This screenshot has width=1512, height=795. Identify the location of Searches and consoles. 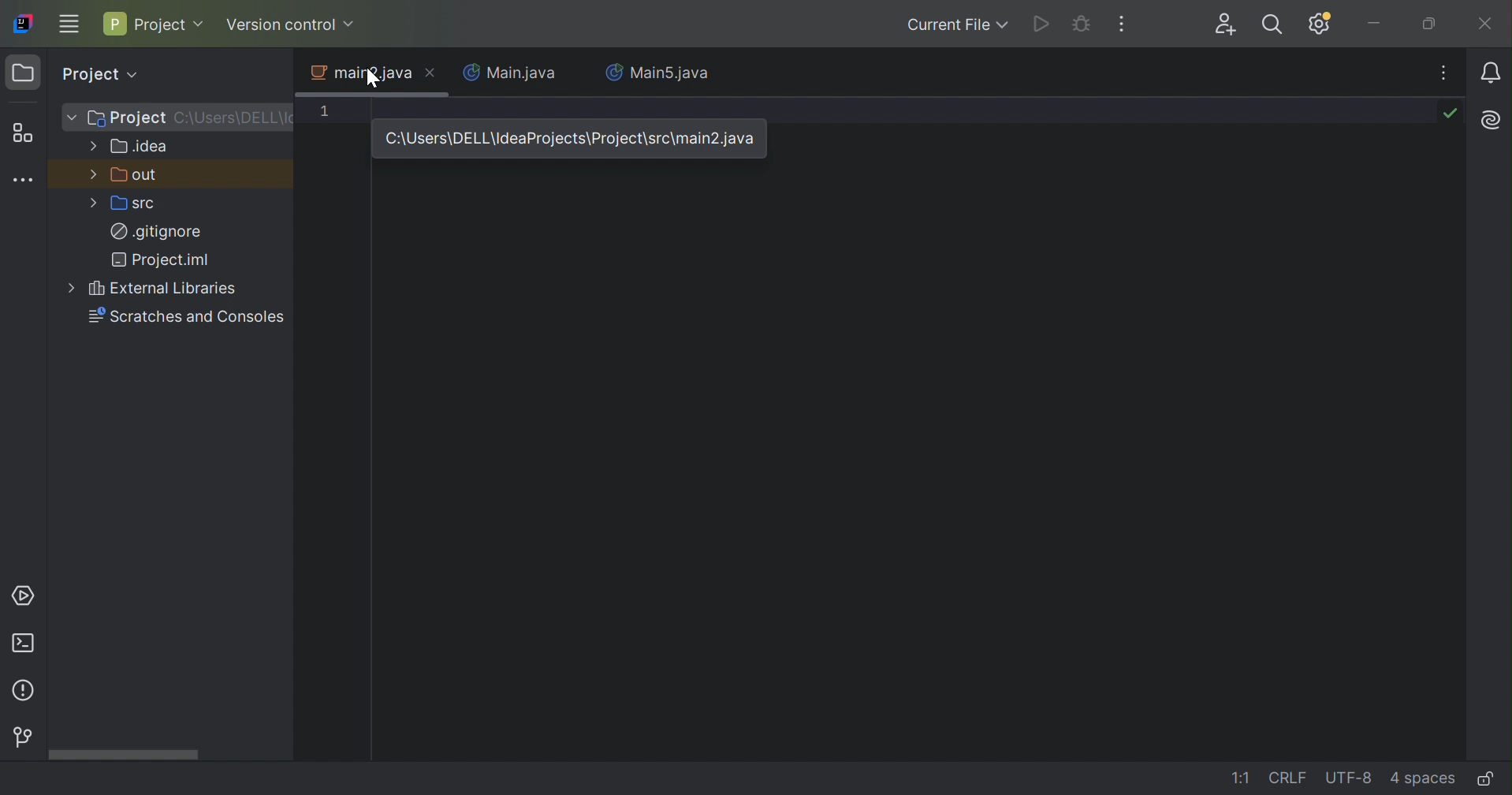
(190, 321).